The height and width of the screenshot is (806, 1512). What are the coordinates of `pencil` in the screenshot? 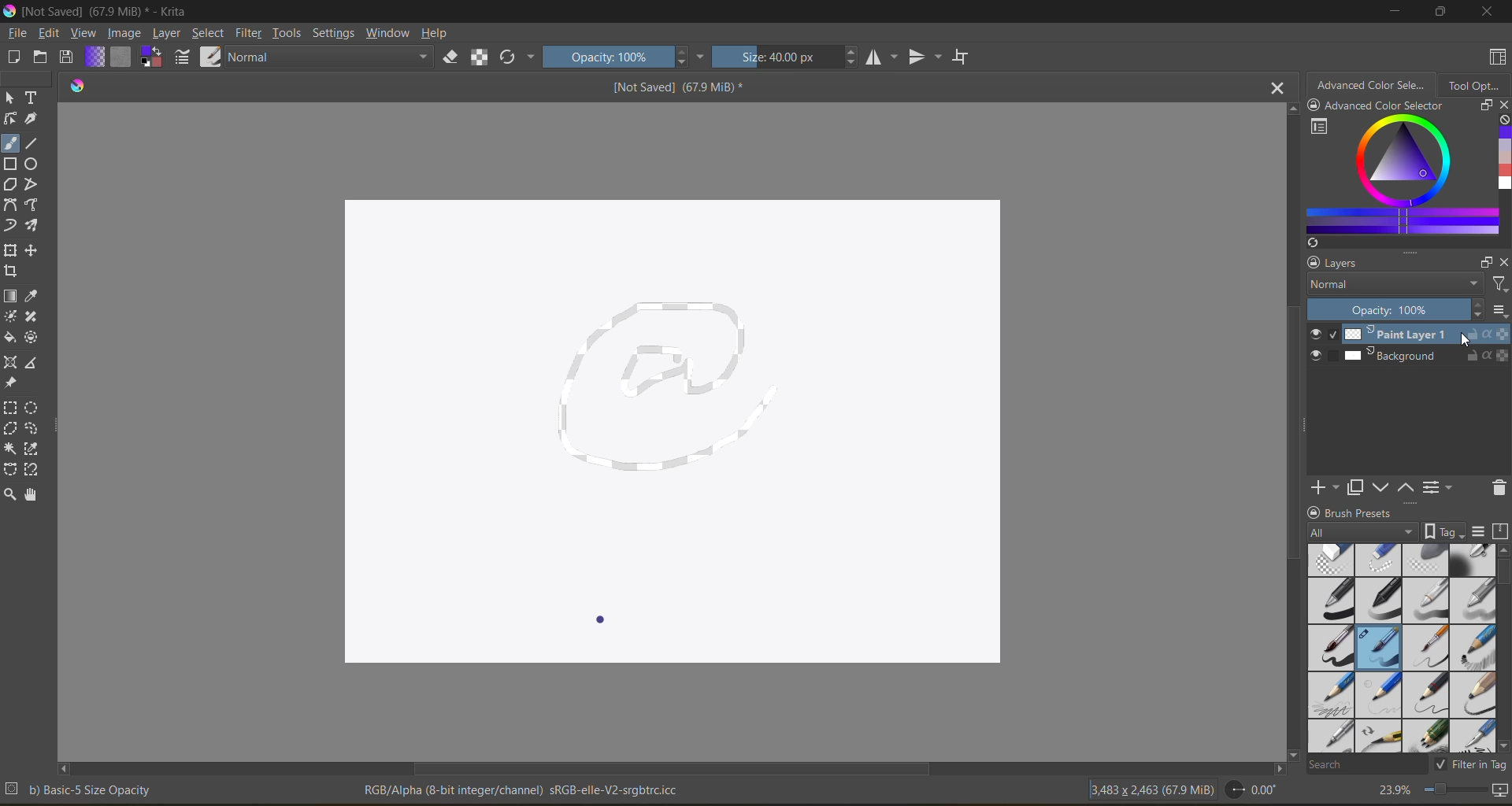 It's located at (1377, 695).